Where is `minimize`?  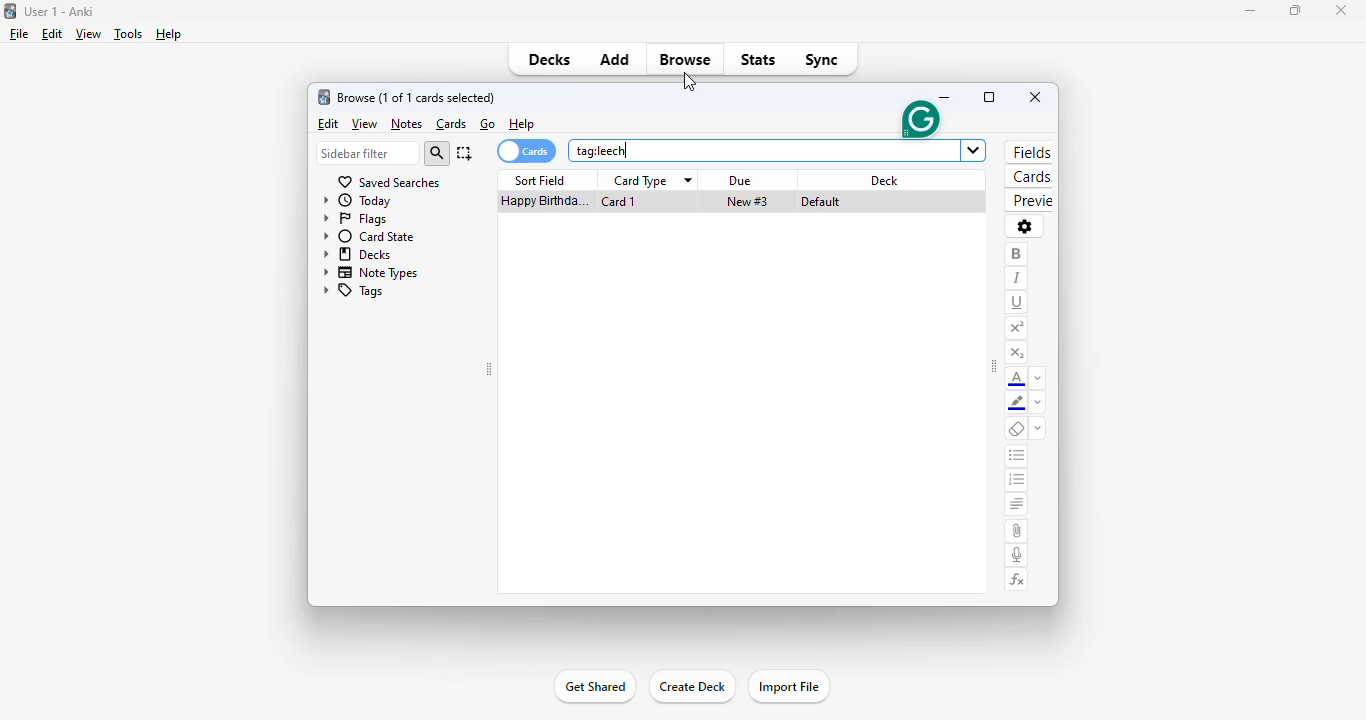
minimize is located at coordinates (947, 98).